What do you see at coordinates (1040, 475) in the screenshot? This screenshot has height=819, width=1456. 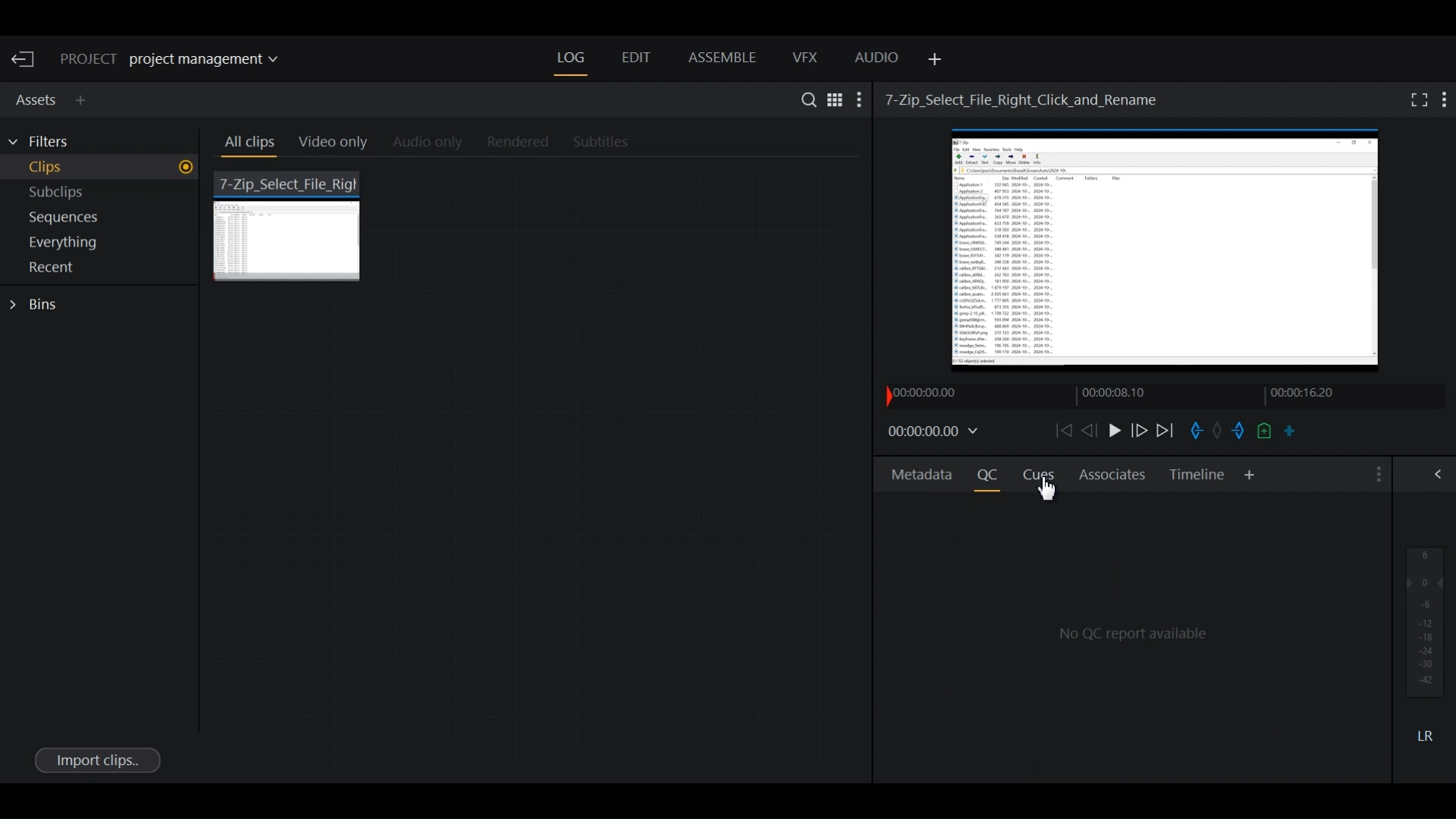 I see `Cues` at bounding box center [1040, 475].